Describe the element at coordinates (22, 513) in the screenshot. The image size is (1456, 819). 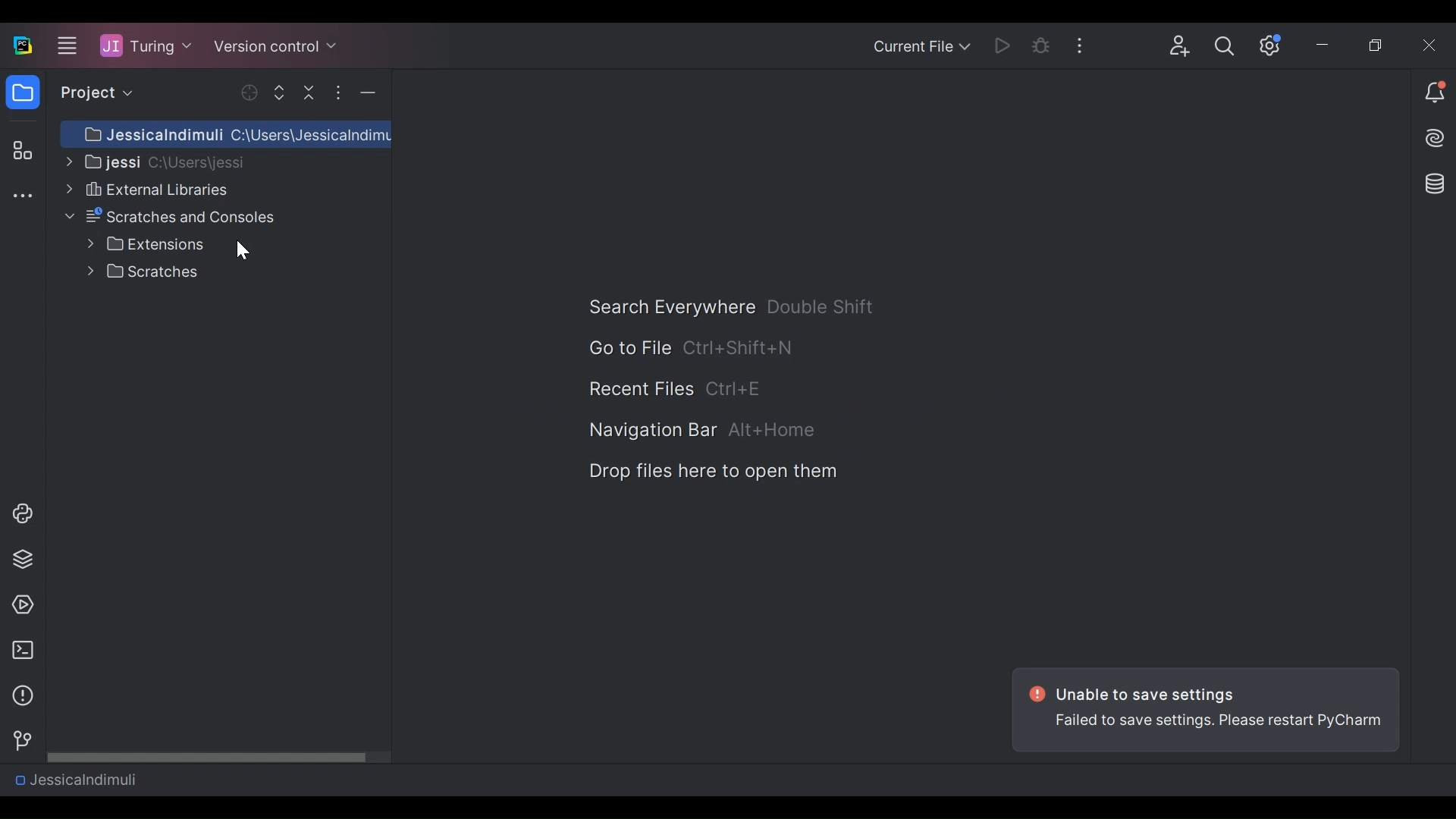
I see `python` at that location.